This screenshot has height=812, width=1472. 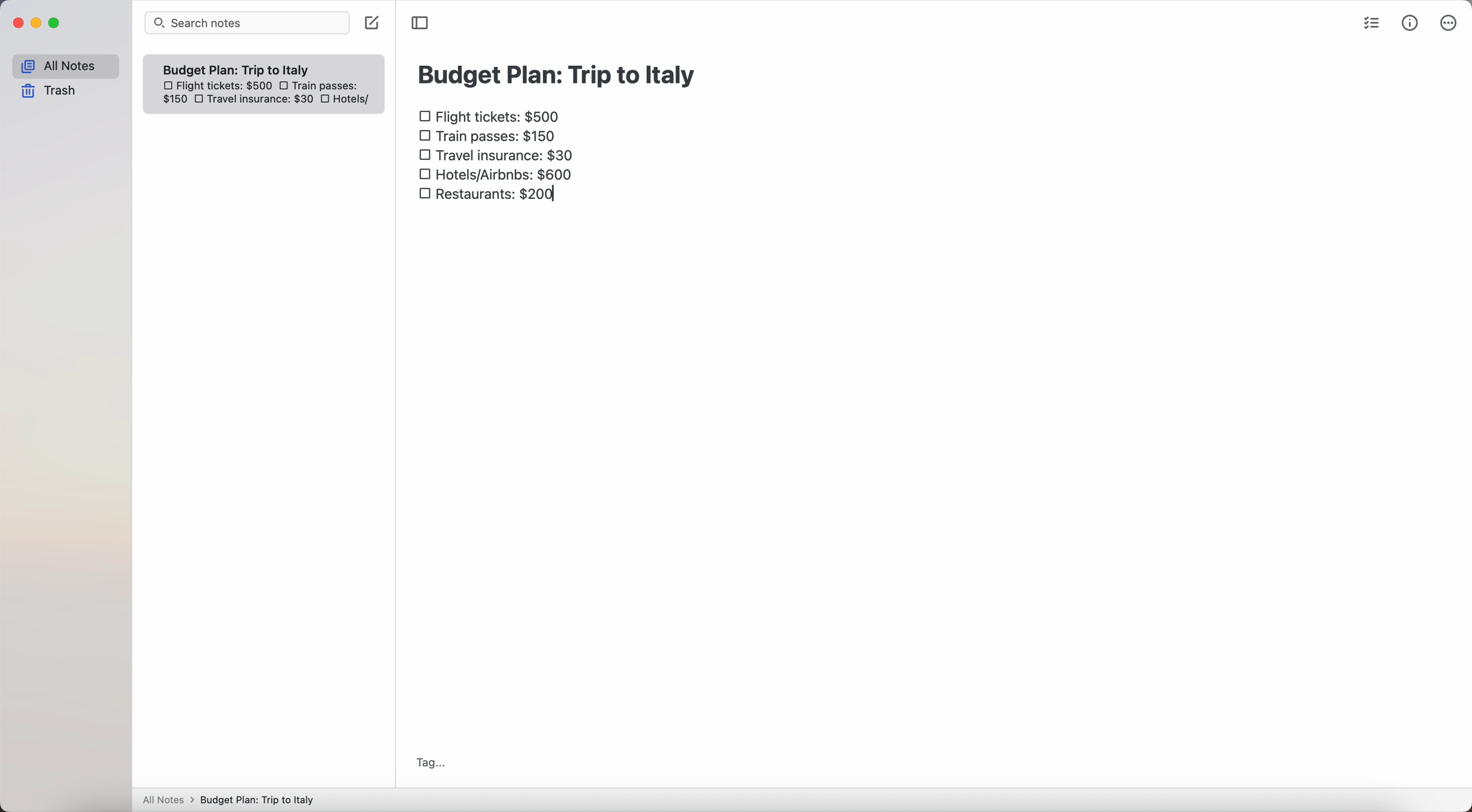 I want to click on flight tickets: $500, so click(x=217, y=87).